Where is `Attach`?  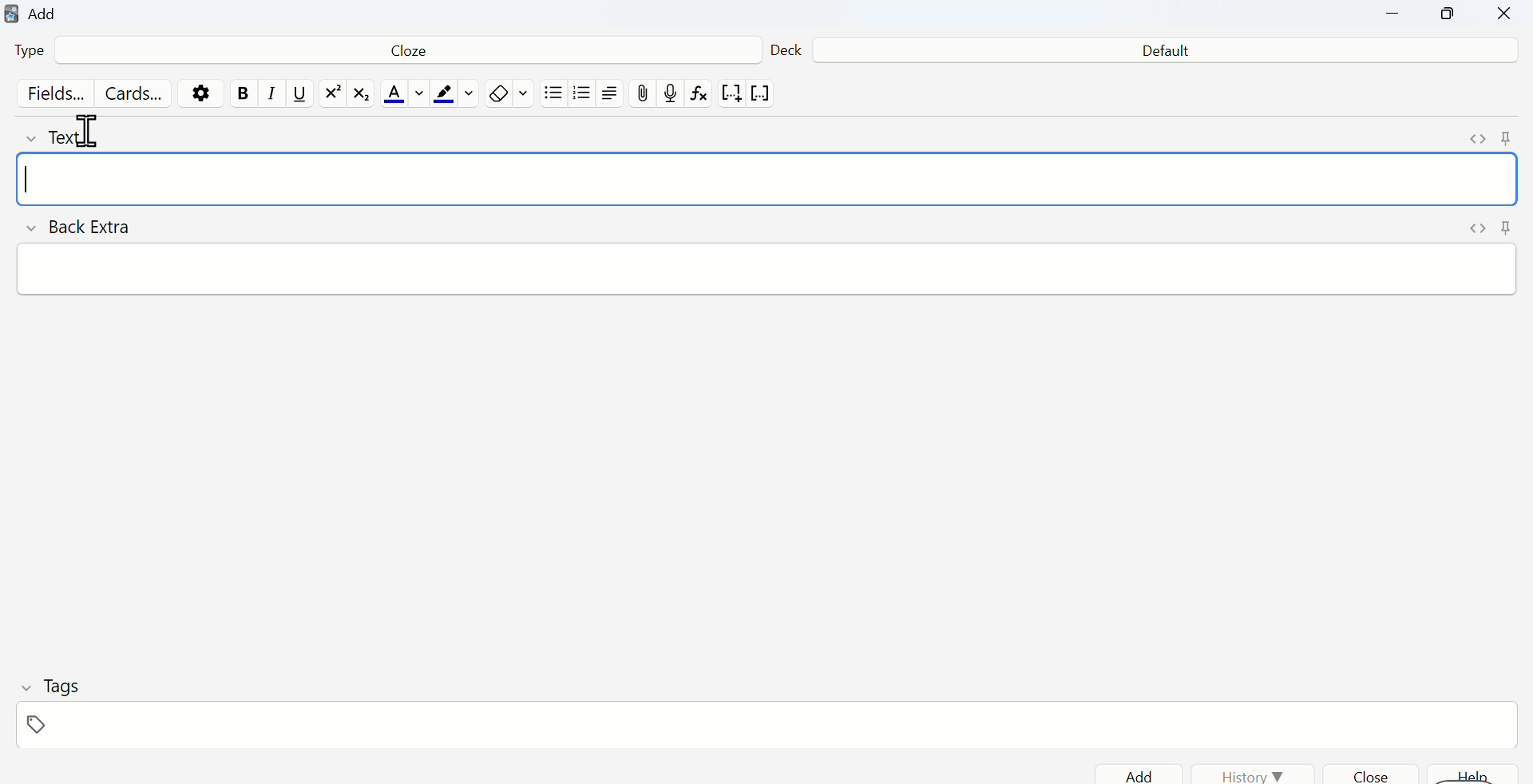
Attach is located at coordinates (644, 93).